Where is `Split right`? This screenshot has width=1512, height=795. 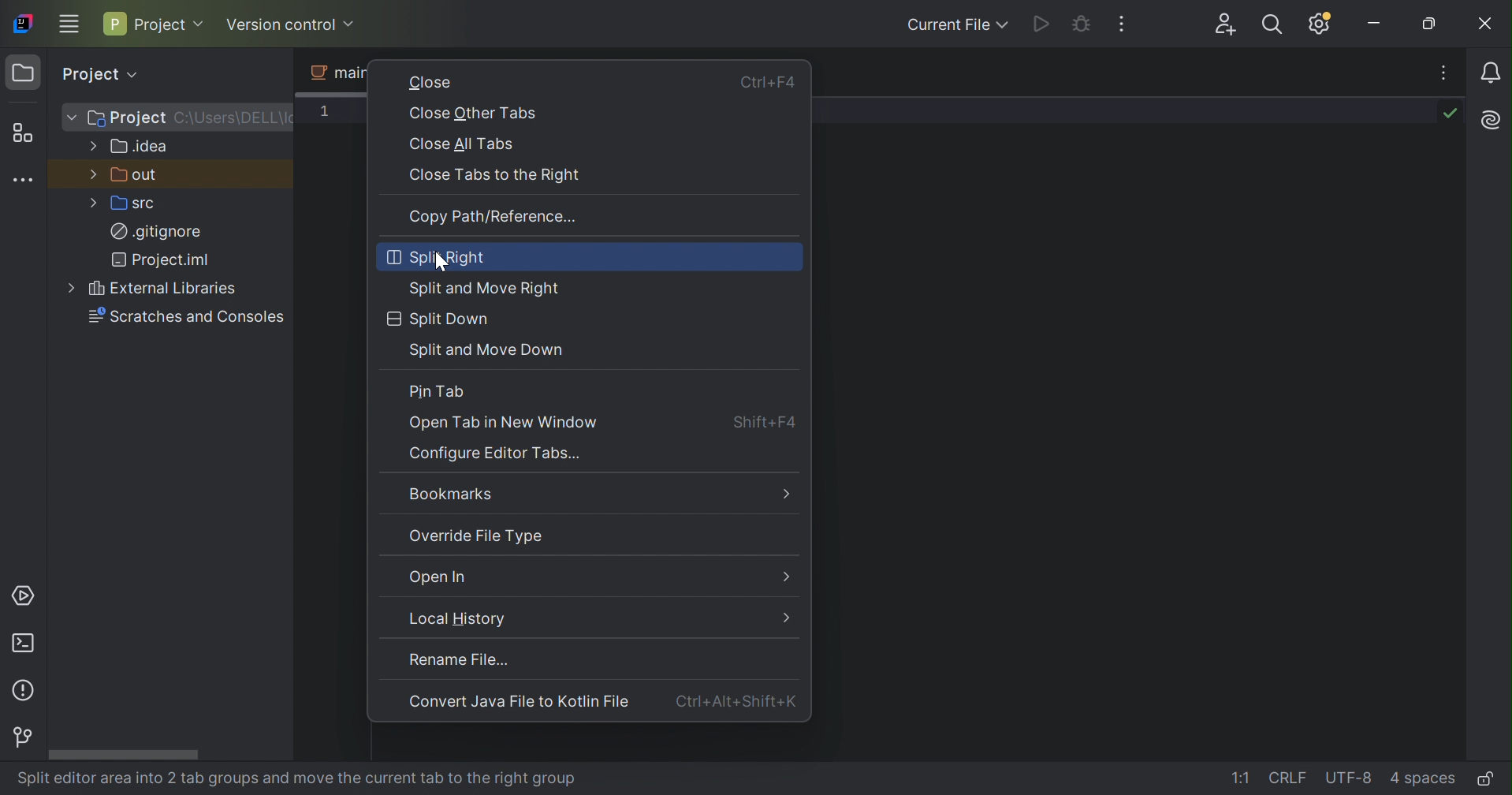
Split right is located at coordinates (437, 256).